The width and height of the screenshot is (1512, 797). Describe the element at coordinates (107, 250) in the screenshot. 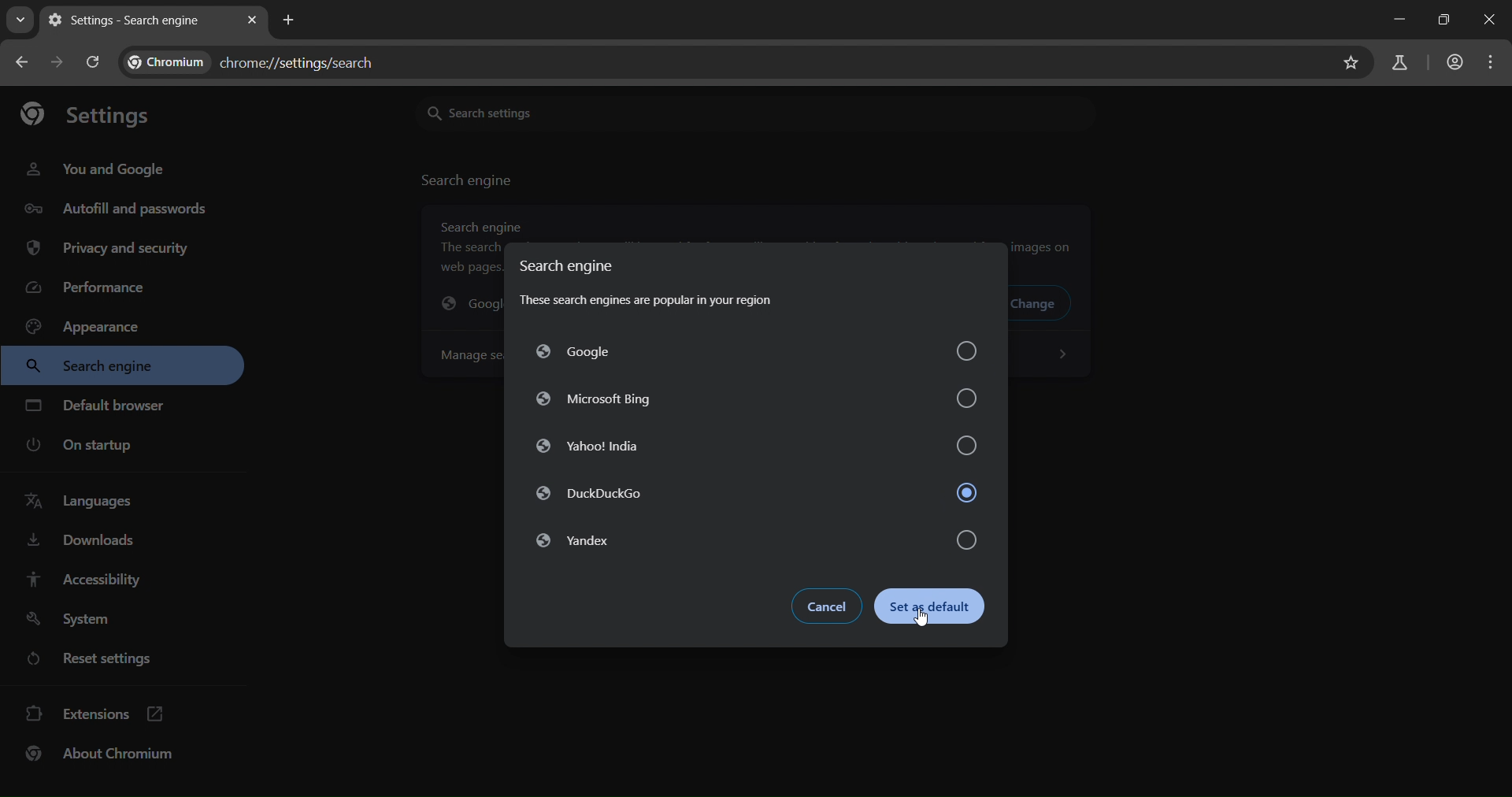

I see `privacy & security` at that location.